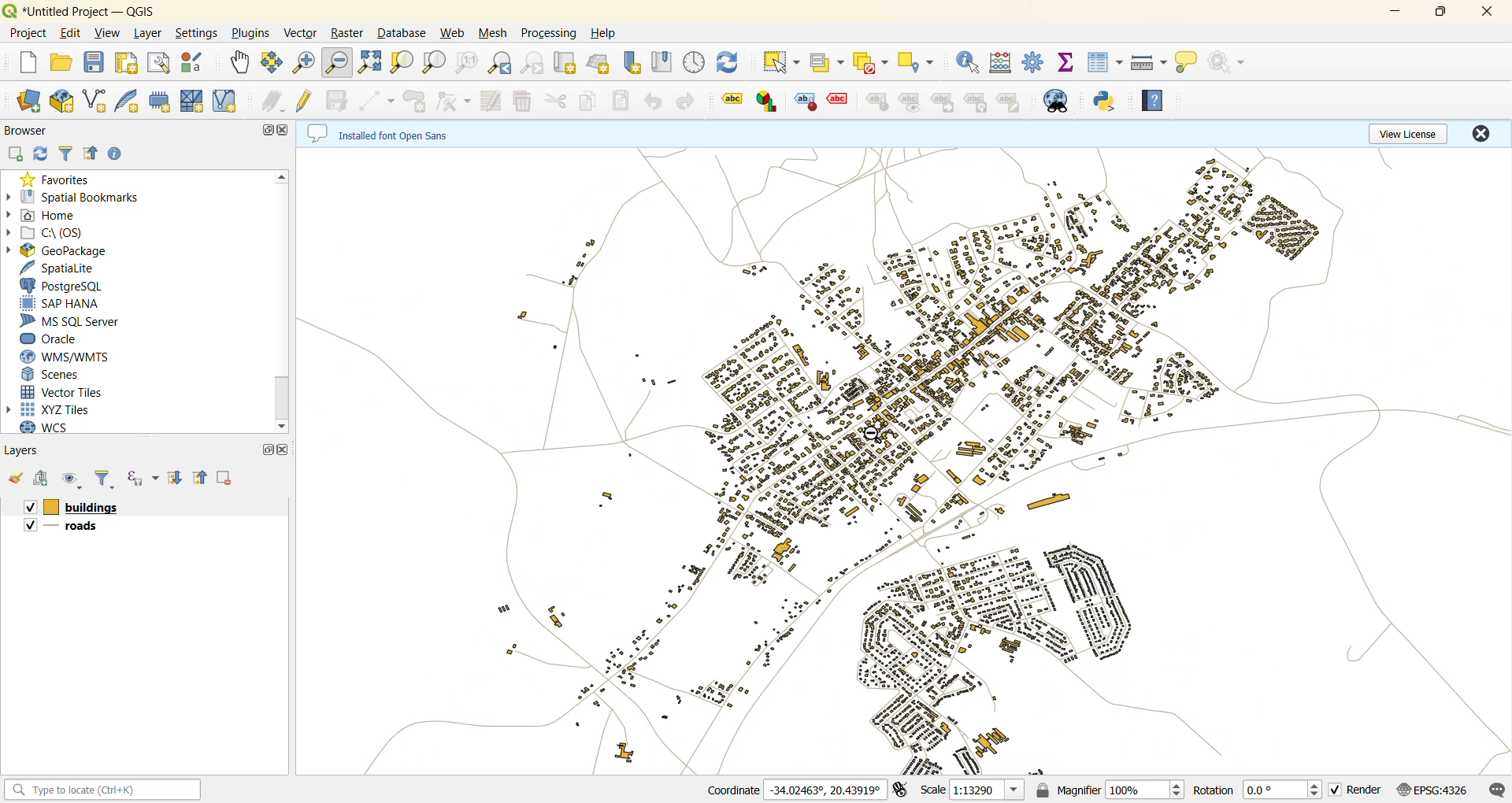 This screenshot has width=1512, height=803. What do you see at coordinates (66, 390) in the screenshot?
I see `vector tiles` at bounding box center [66, 390].